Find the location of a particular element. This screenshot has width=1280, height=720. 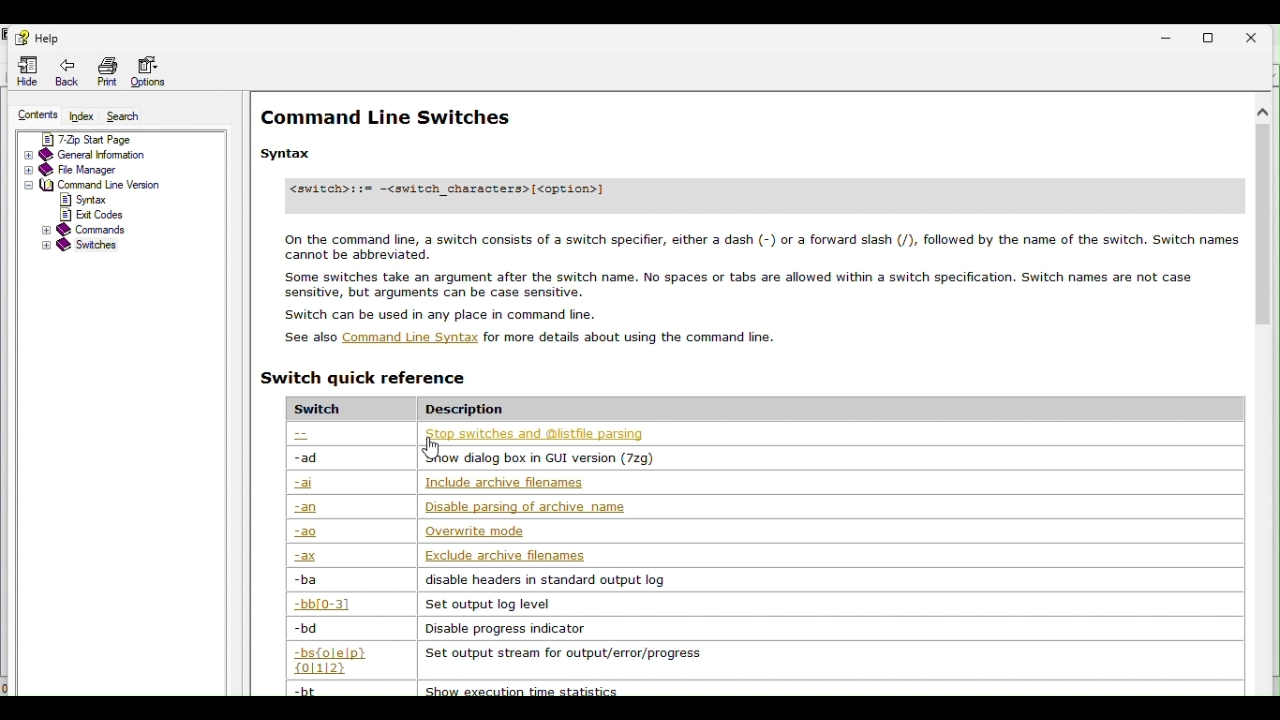

Close is located at coordinates (1263, 37).